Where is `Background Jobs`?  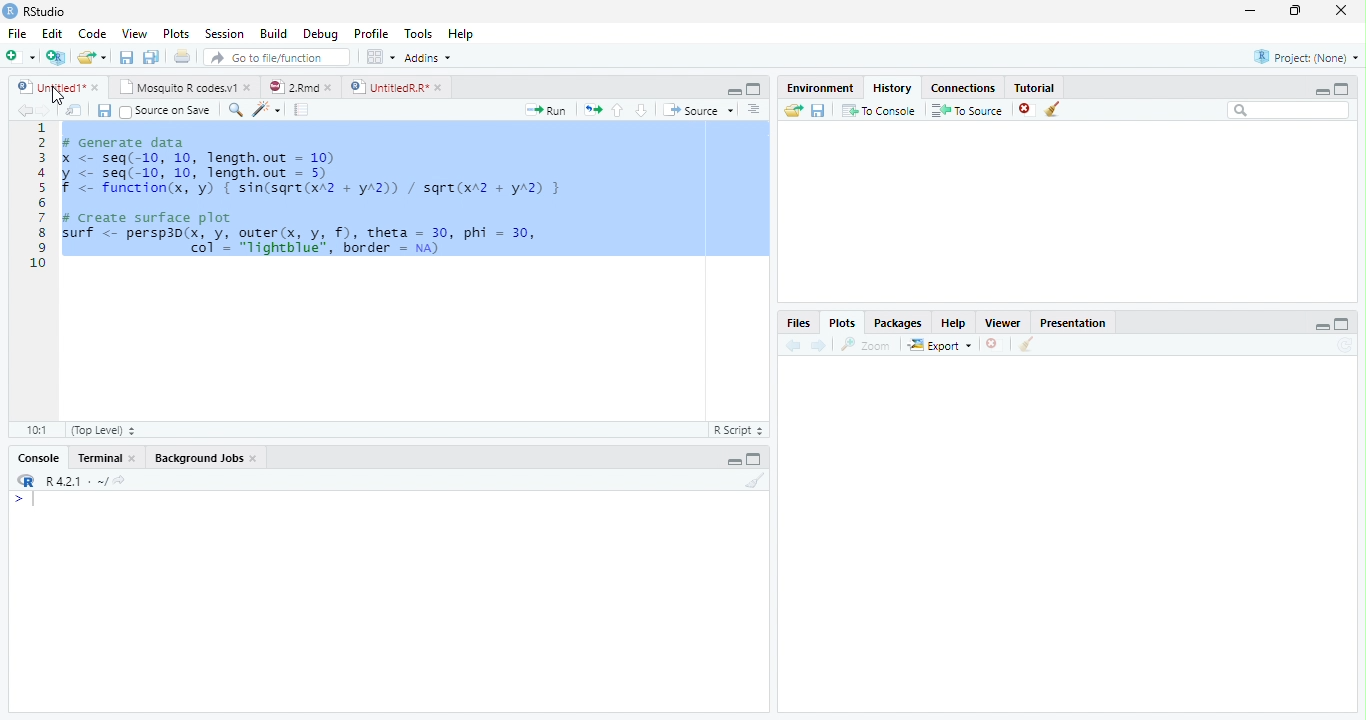 Background Jobs is located at coordinates (199, 458).